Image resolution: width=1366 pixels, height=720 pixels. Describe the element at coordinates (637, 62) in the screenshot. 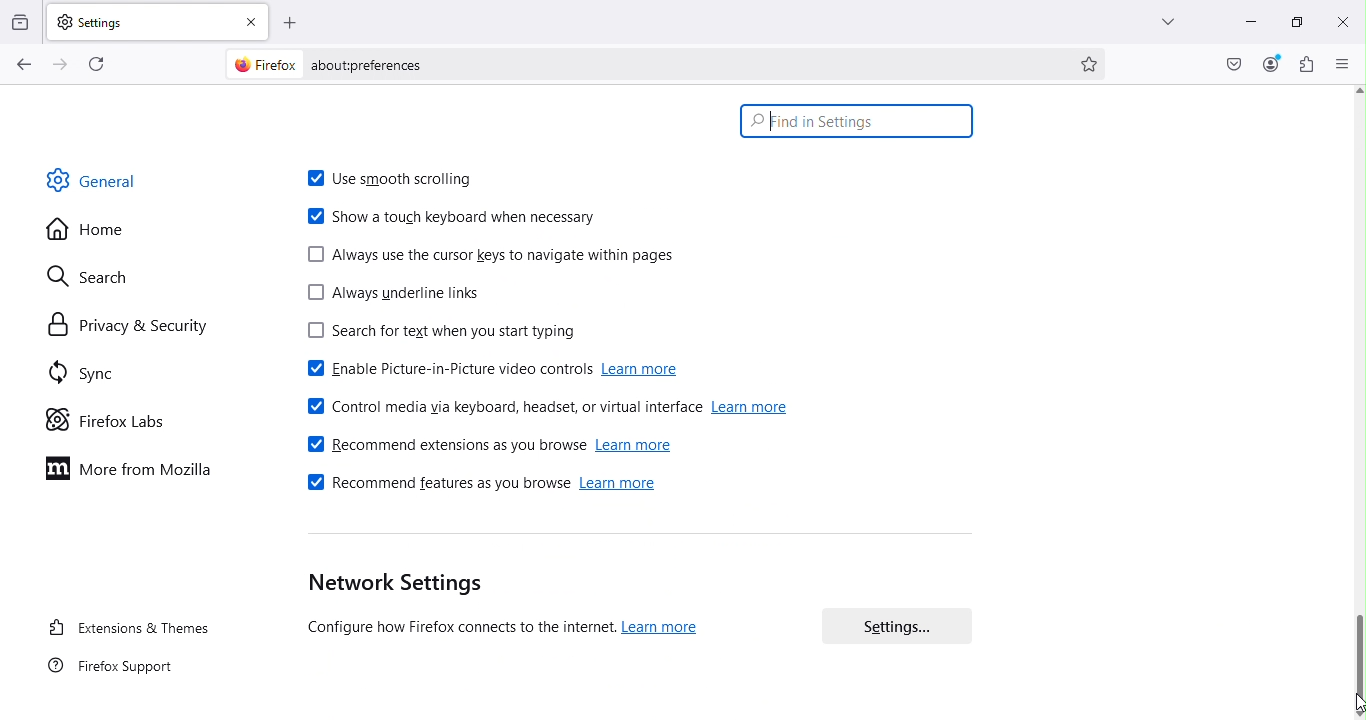

I see `Address bar` at that location.